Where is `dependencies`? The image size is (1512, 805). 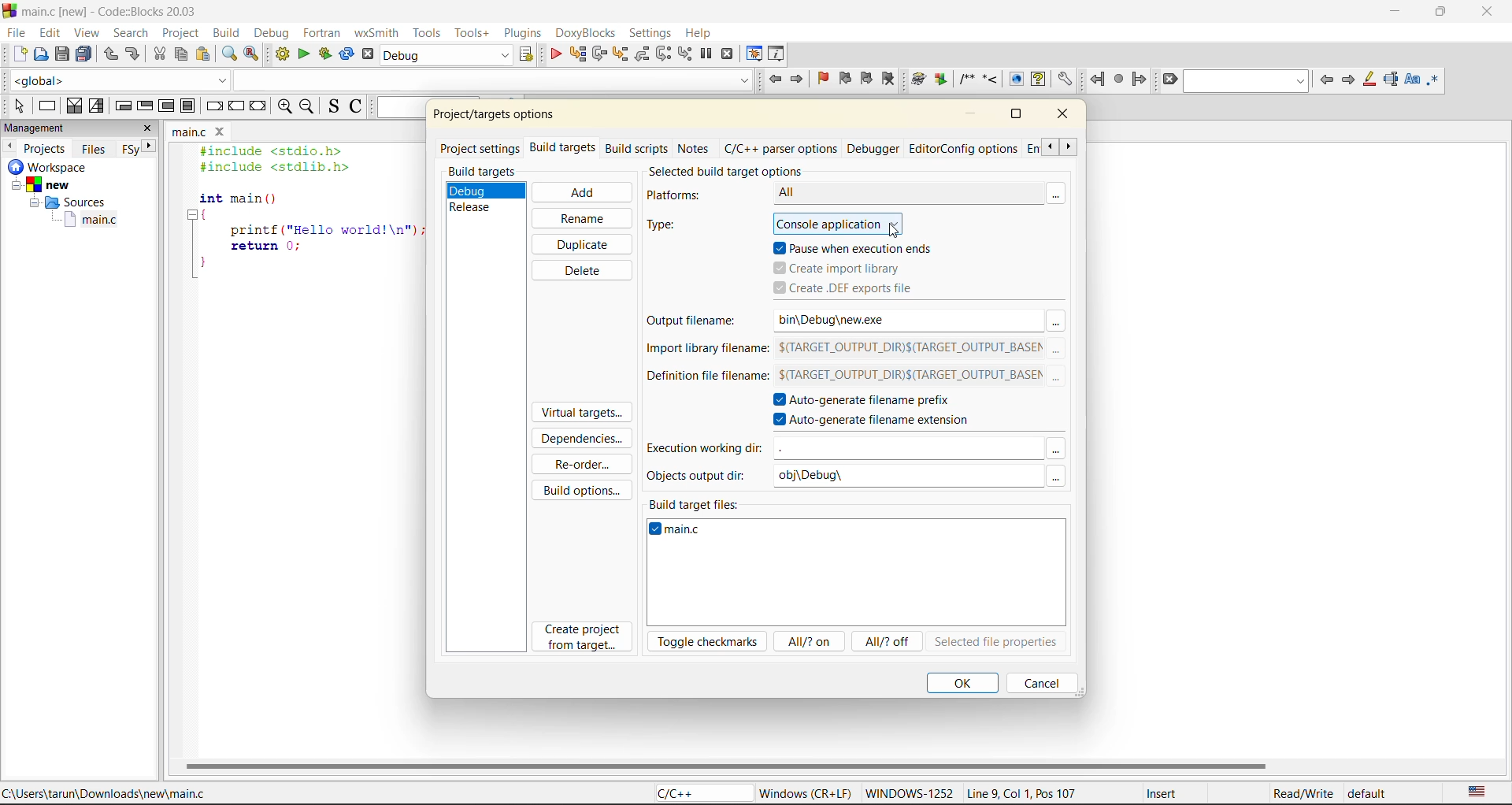 dependencies is located at coordinates (584, 436).